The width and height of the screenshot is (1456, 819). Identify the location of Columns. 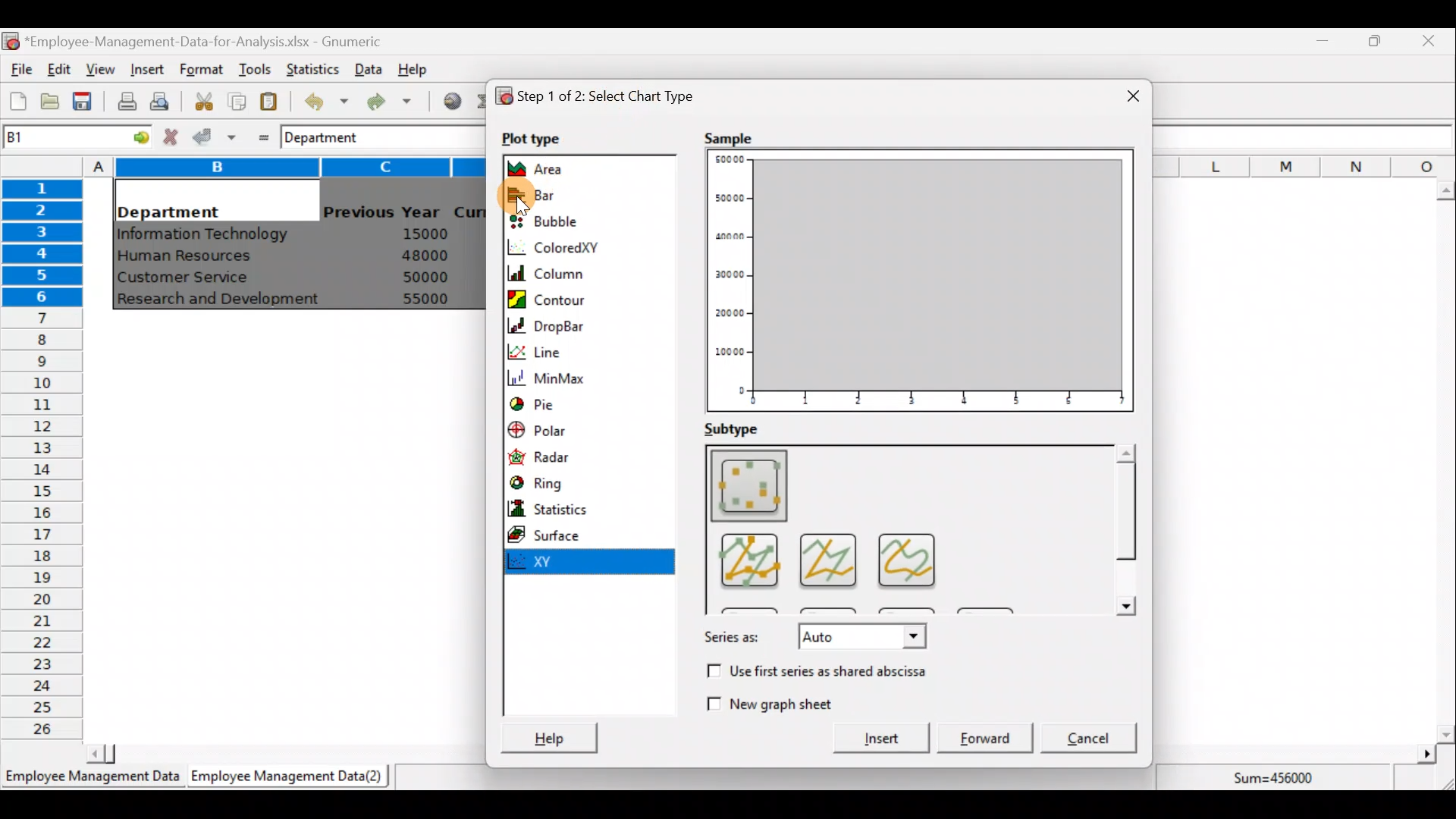
(278, 165).